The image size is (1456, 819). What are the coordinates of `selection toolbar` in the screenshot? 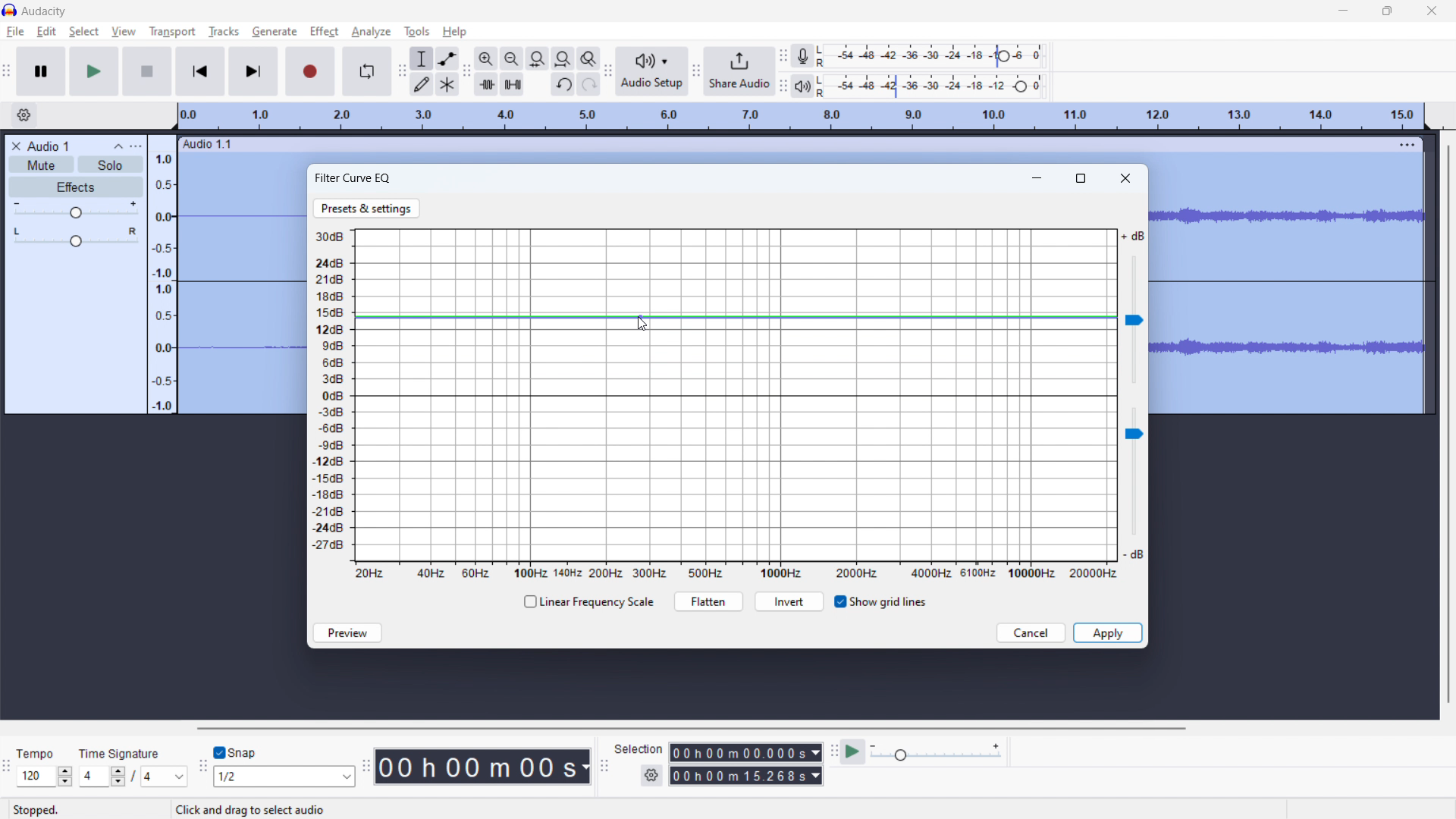 It's located at (603, 765).